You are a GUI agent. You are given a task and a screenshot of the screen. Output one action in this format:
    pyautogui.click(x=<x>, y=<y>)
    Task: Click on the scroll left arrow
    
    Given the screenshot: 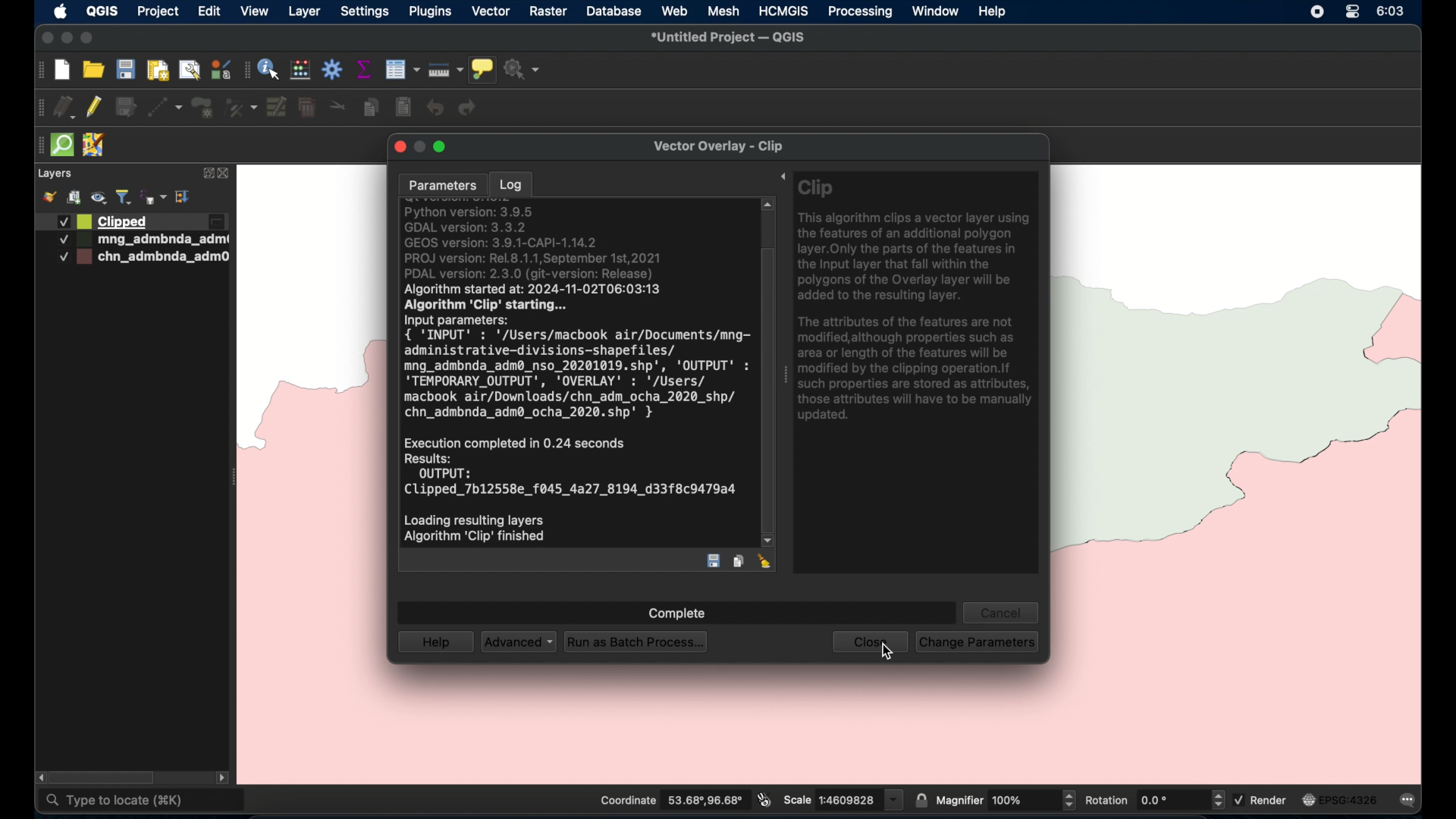 What is the action you would take?
    pyautogui.click(x=38, y=777)
    